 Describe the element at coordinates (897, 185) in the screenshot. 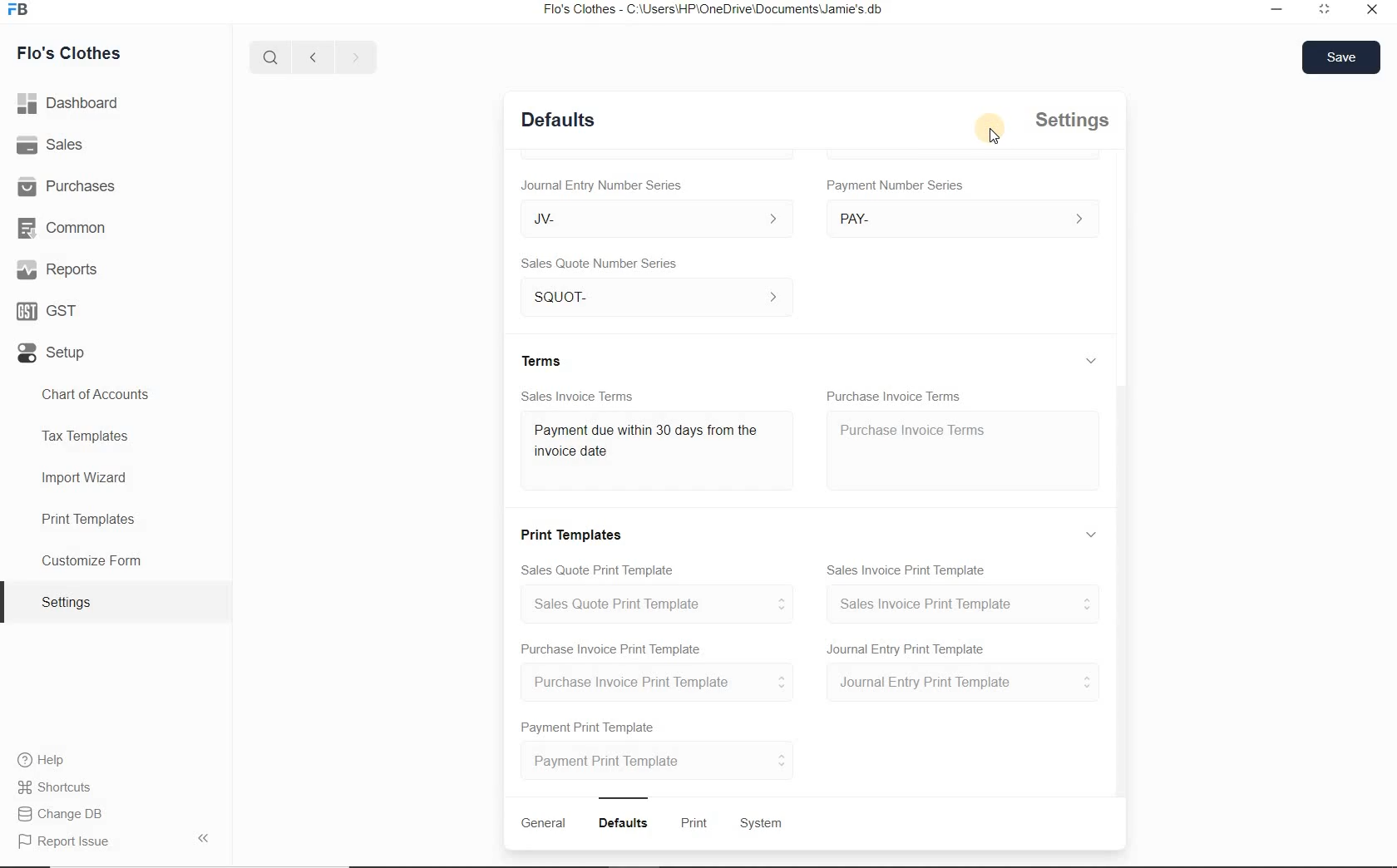

I see `umber Series Payment Number Series` at that location.